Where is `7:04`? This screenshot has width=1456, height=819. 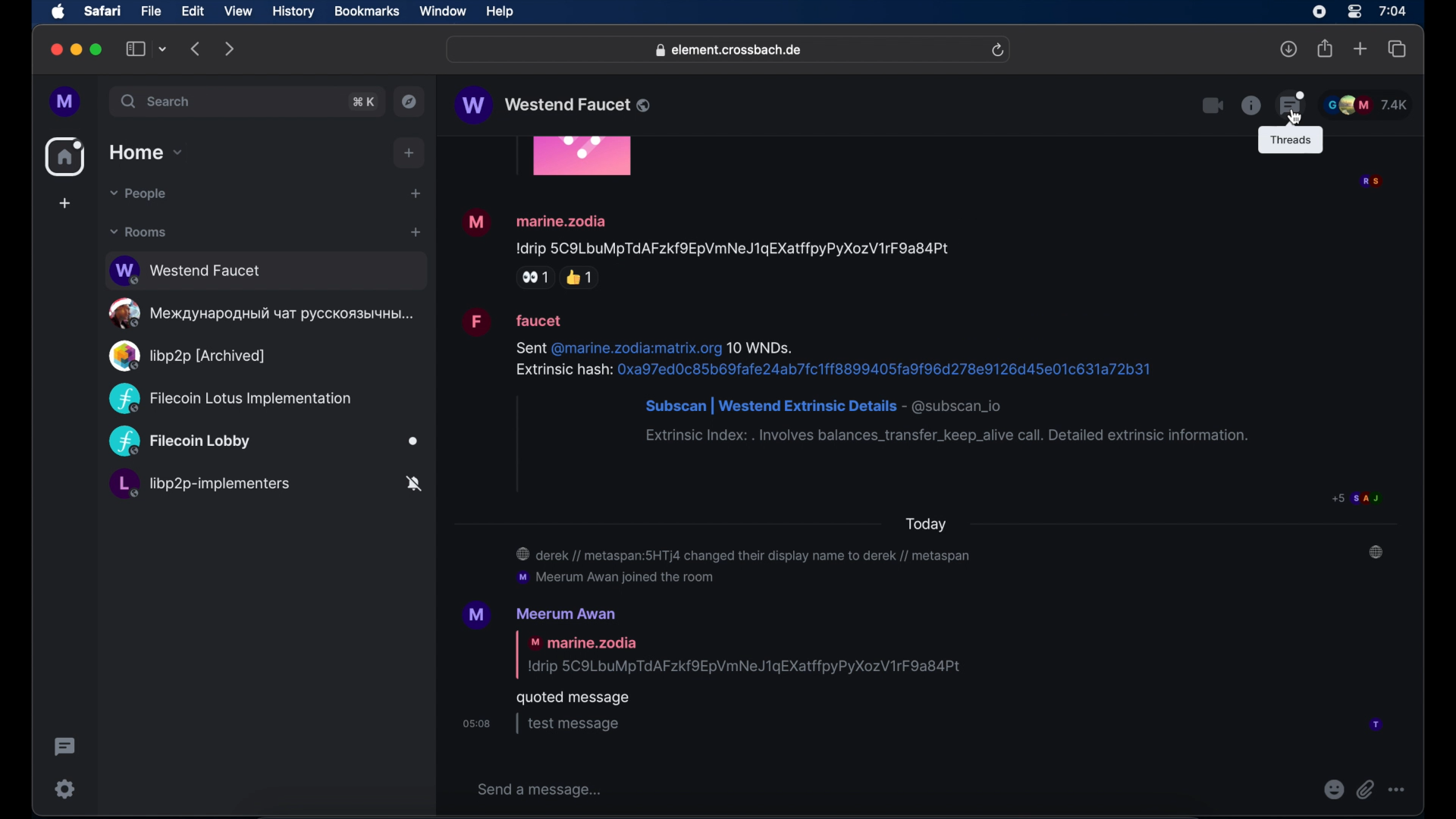 7:04 is located at coordinates (1398, 11).